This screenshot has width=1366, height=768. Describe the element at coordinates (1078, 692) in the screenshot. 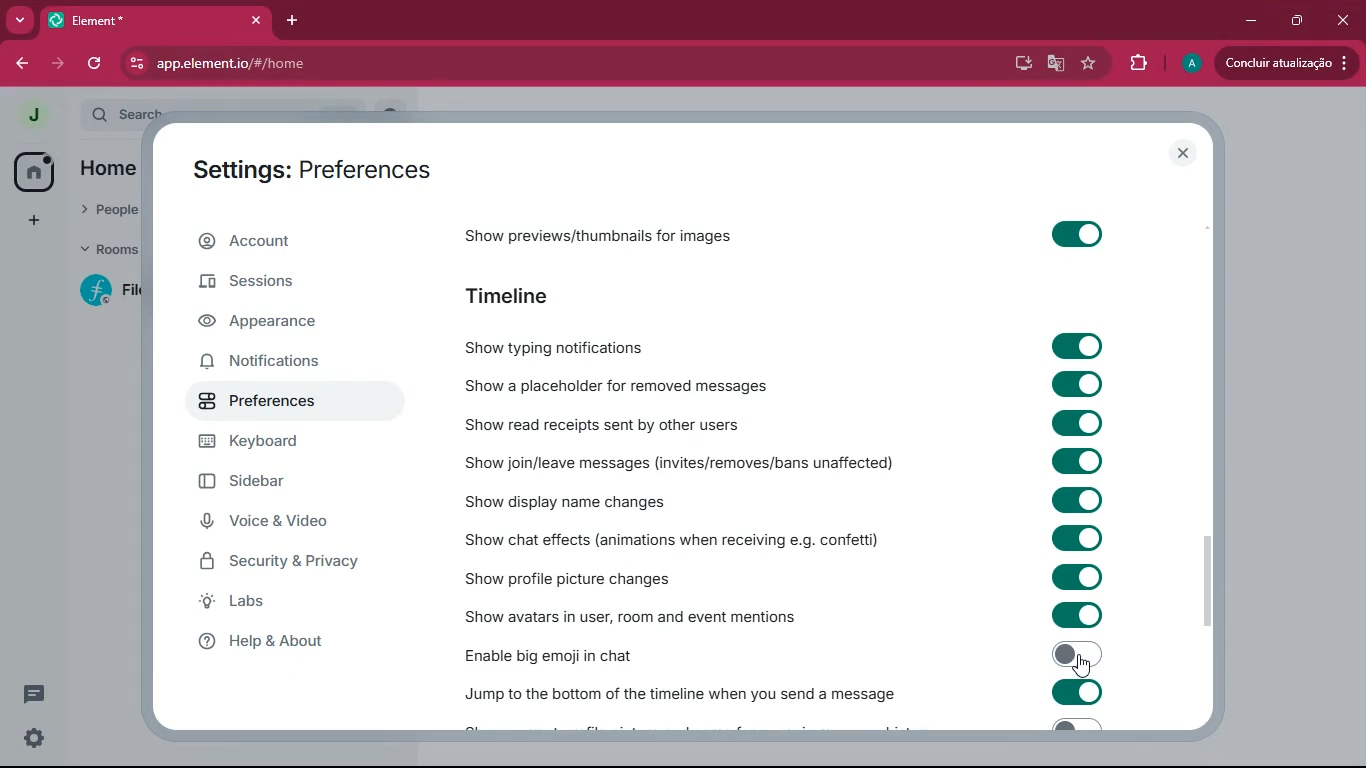

I see `toggle on ` at that location.